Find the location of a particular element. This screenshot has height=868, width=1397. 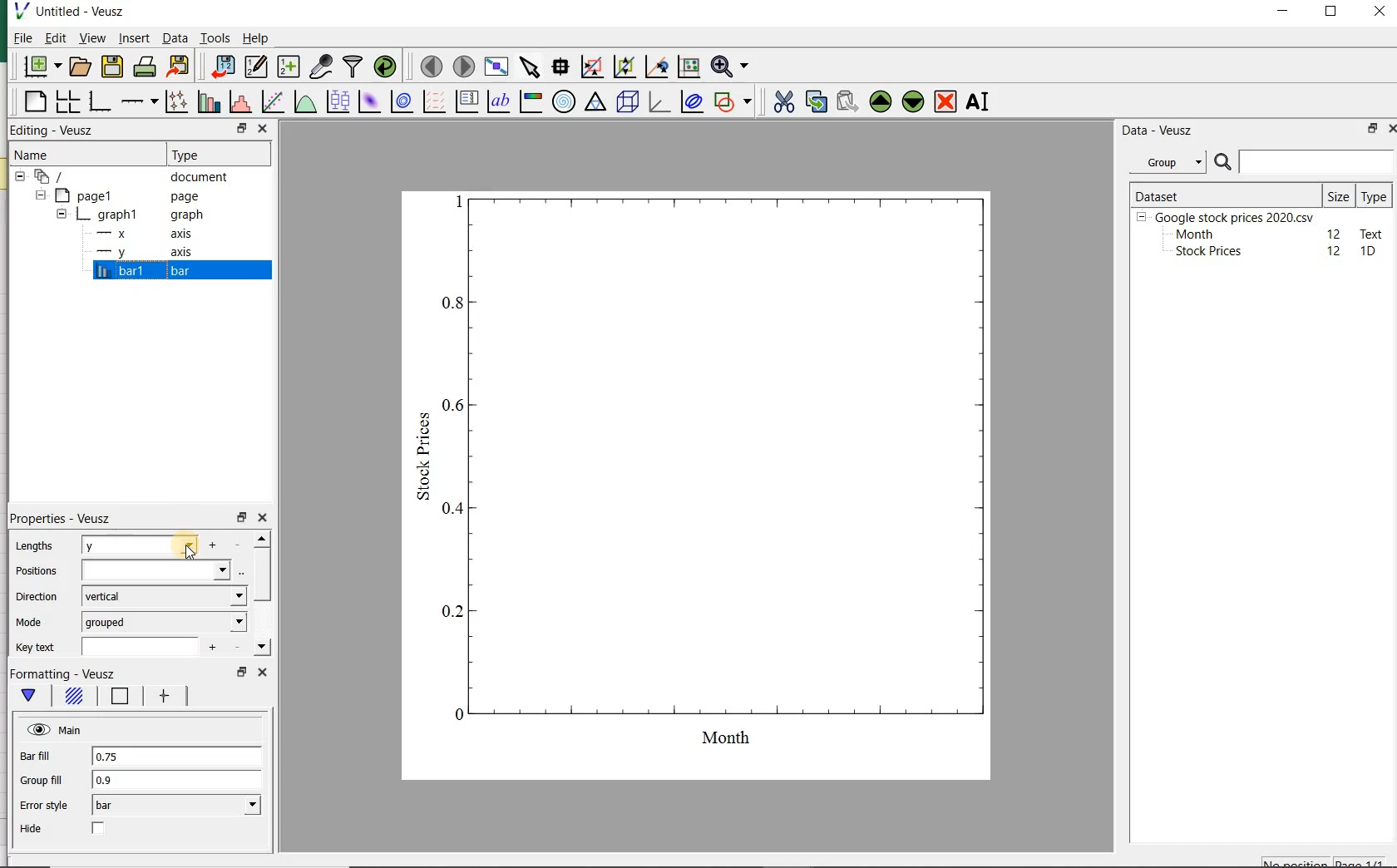

click or draw a rectangle to zoom graph axes is located at coordinates (591, 67).